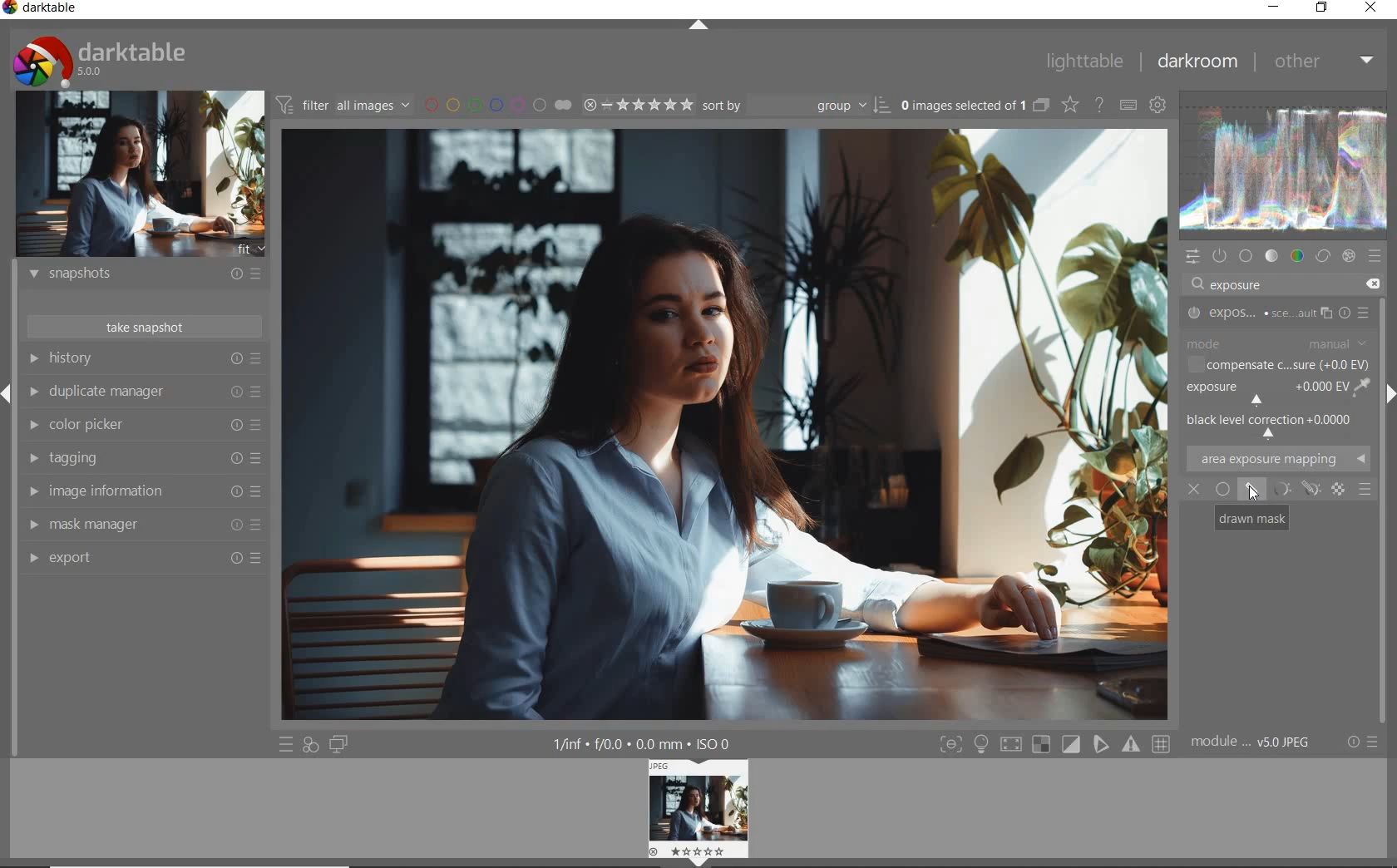 This screenshot has height=868, width=1397. I want to click on cursor, so click(1253, 493).